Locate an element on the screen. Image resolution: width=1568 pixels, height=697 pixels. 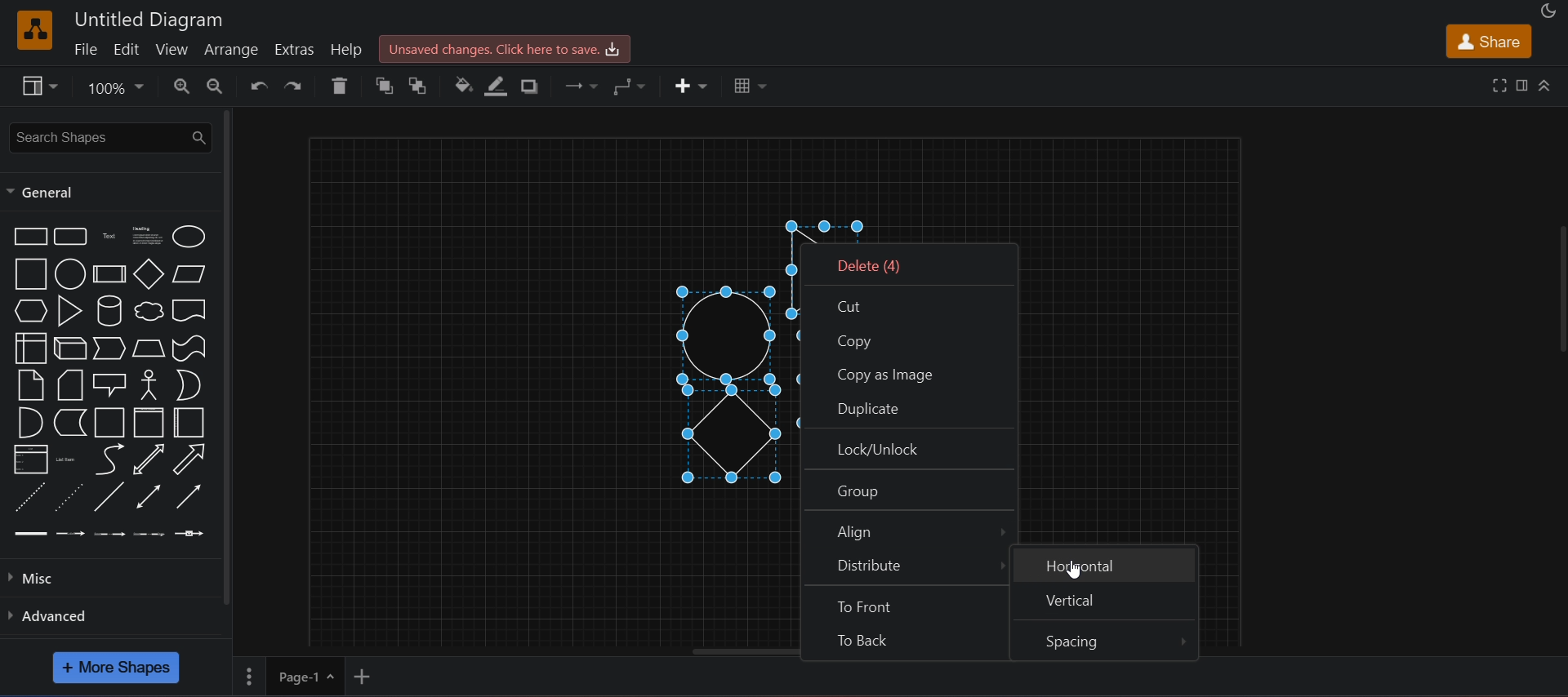
spacing is located at coordinates (1104, 641).